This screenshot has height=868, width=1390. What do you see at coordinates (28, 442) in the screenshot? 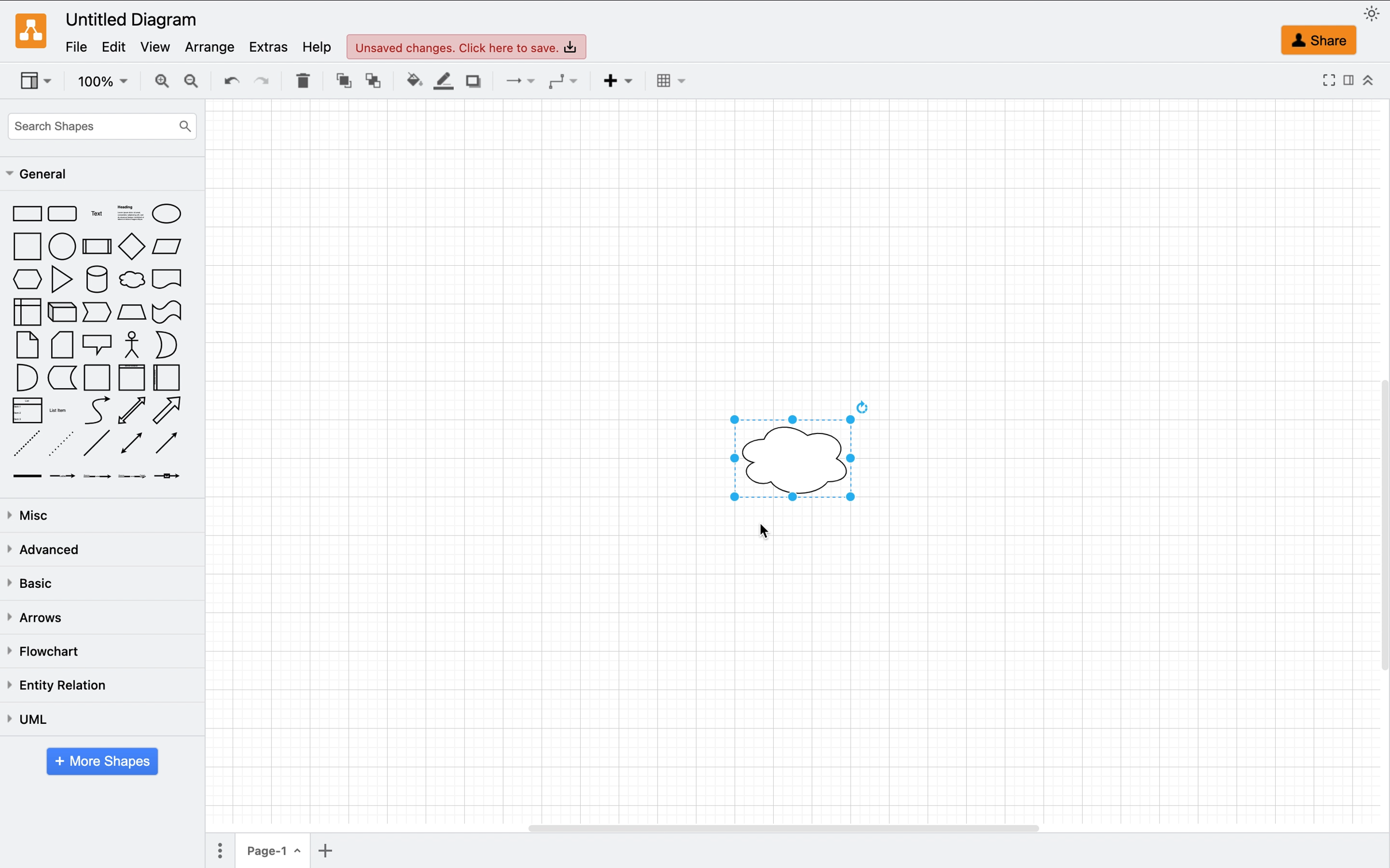
I see `dashed line` at bounding box center [28, 442].